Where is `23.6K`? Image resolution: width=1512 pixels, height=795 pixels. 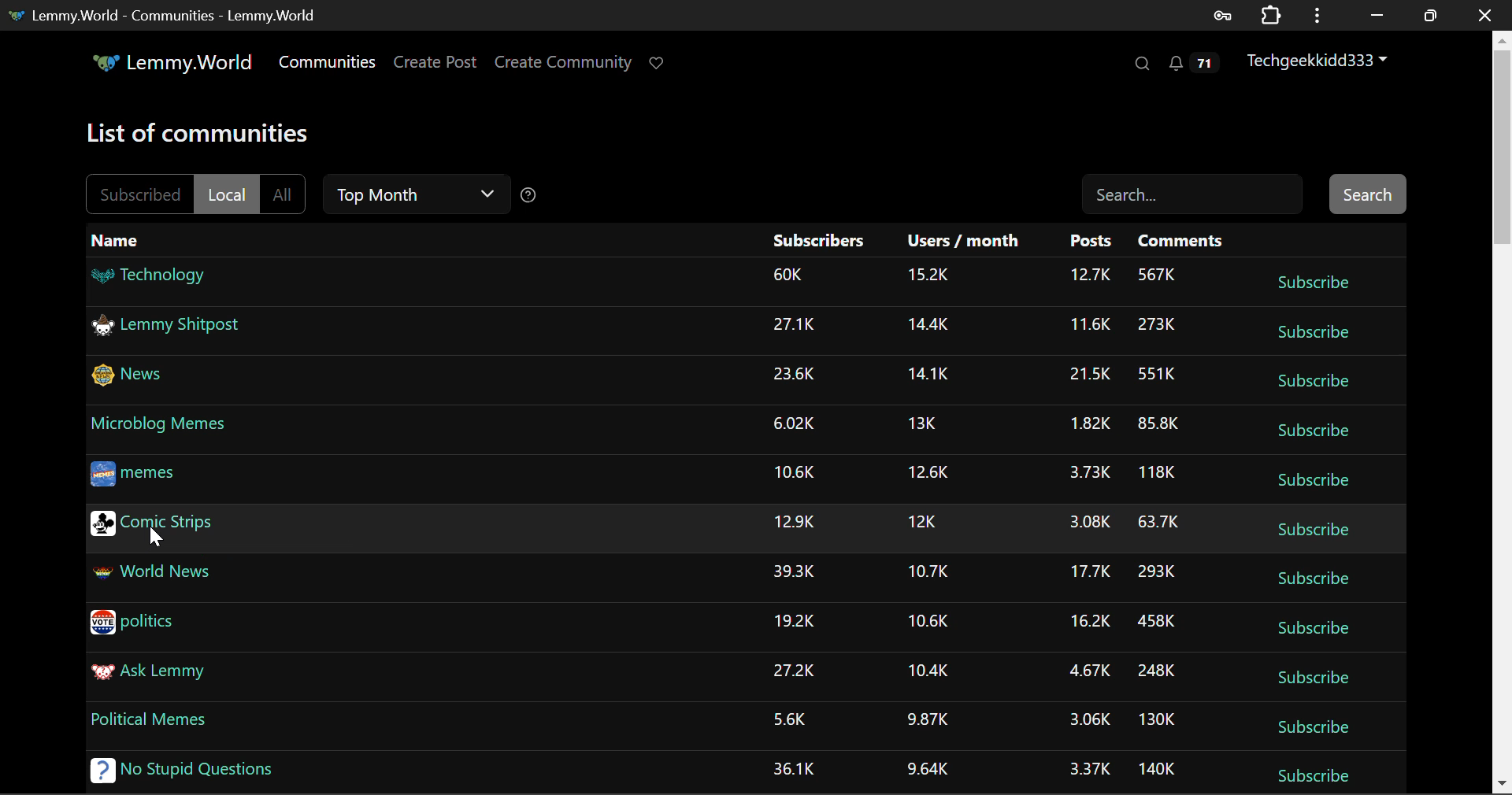 23.6K is located at coordinates (792, 374).